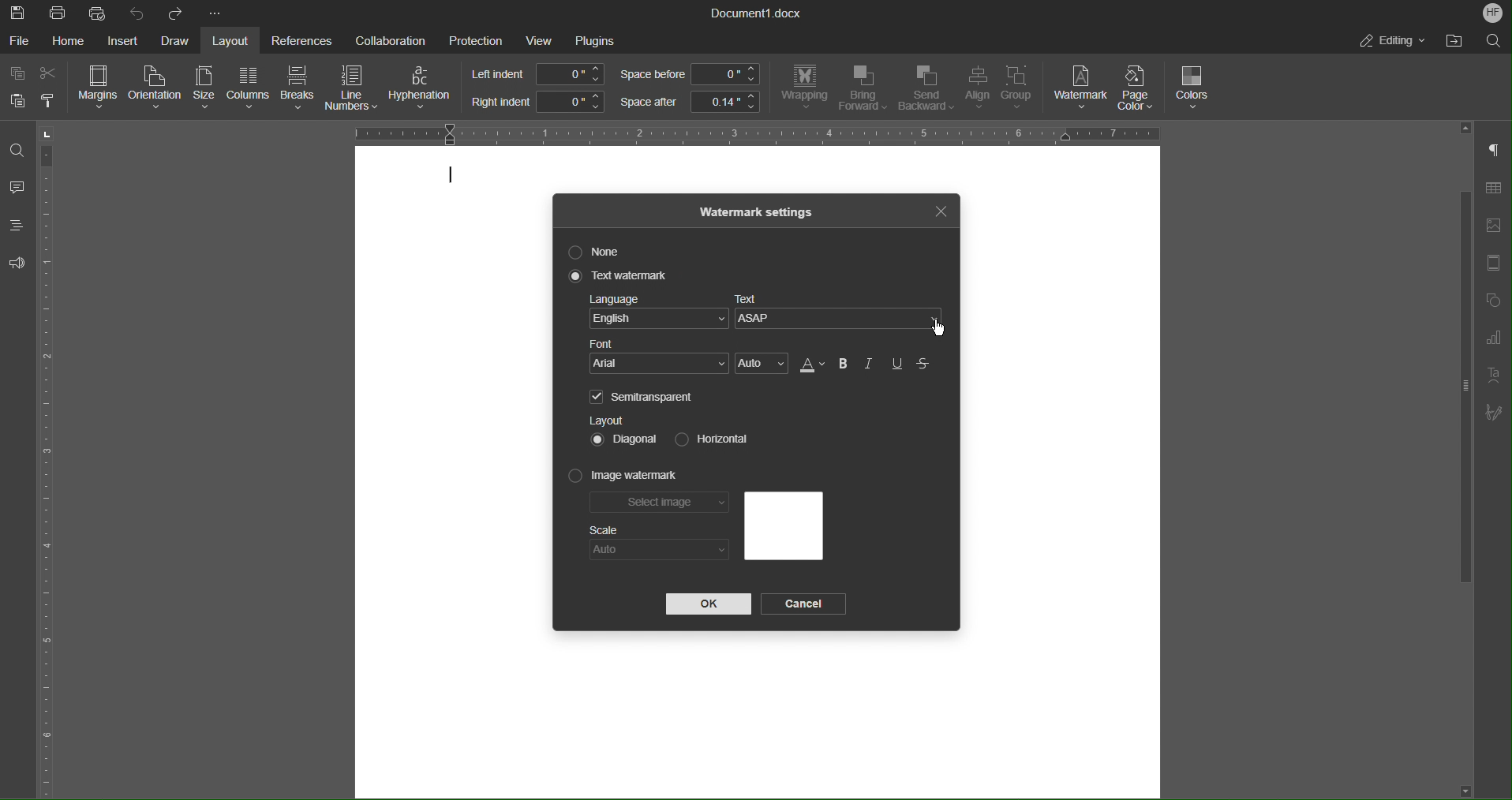 The height and width of the screenshot is (800, 1512). What do you see at coordinates (810, 364) in the screenshot?
I see `Font Color` at bounding box center [810, 364].